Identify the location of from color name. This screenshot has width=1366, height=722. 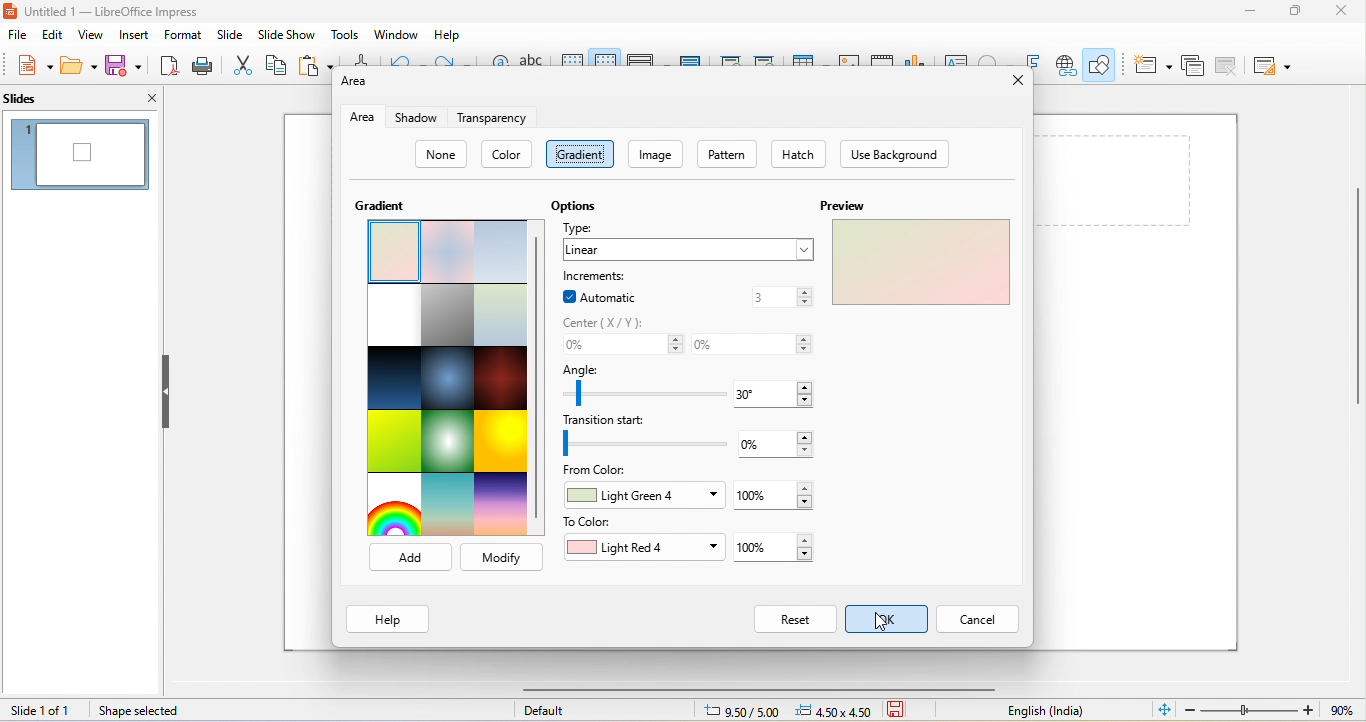
(645, 498).